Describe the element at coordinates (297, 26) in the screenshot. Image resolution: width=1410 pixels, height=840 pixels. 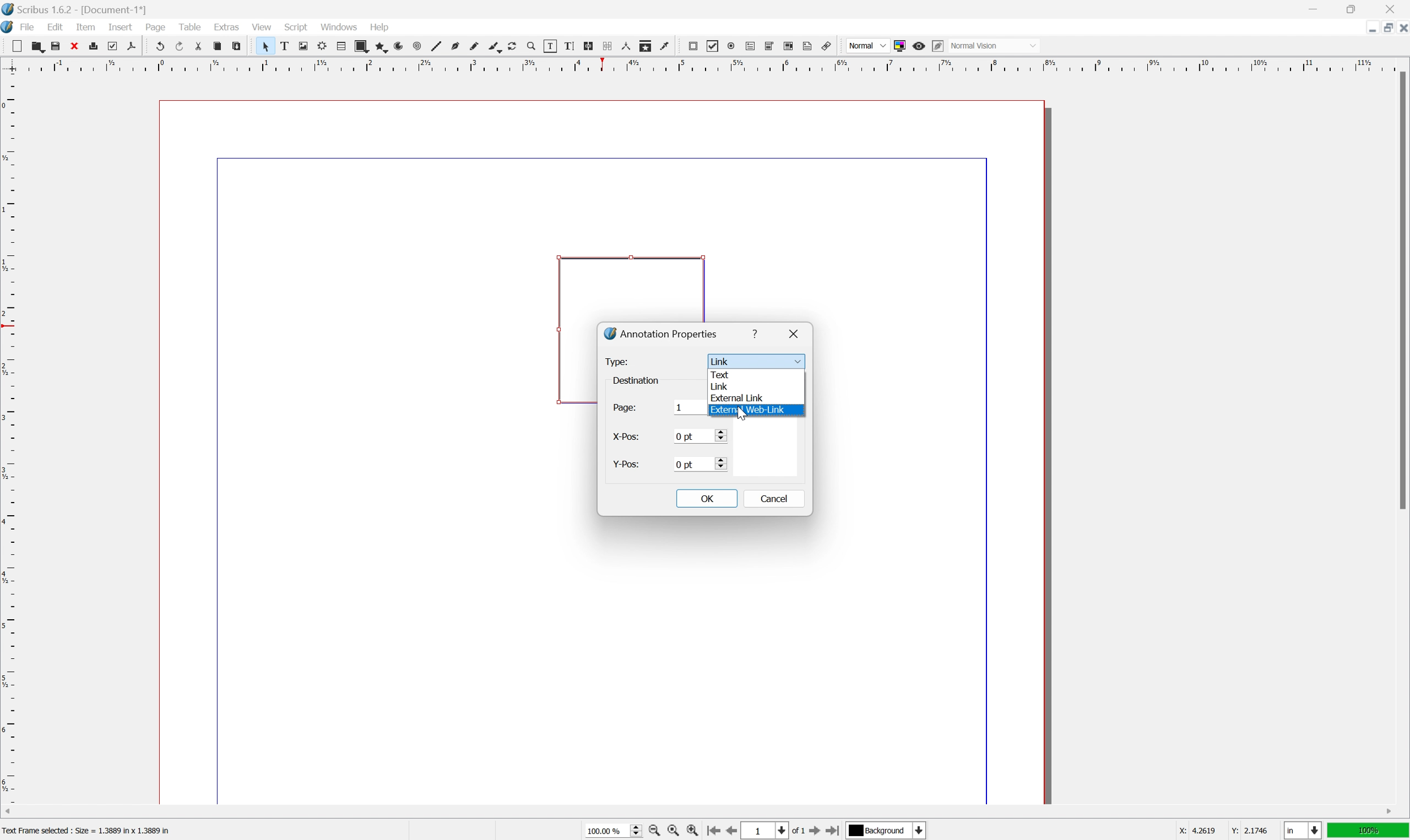
I see `Script` at that location.